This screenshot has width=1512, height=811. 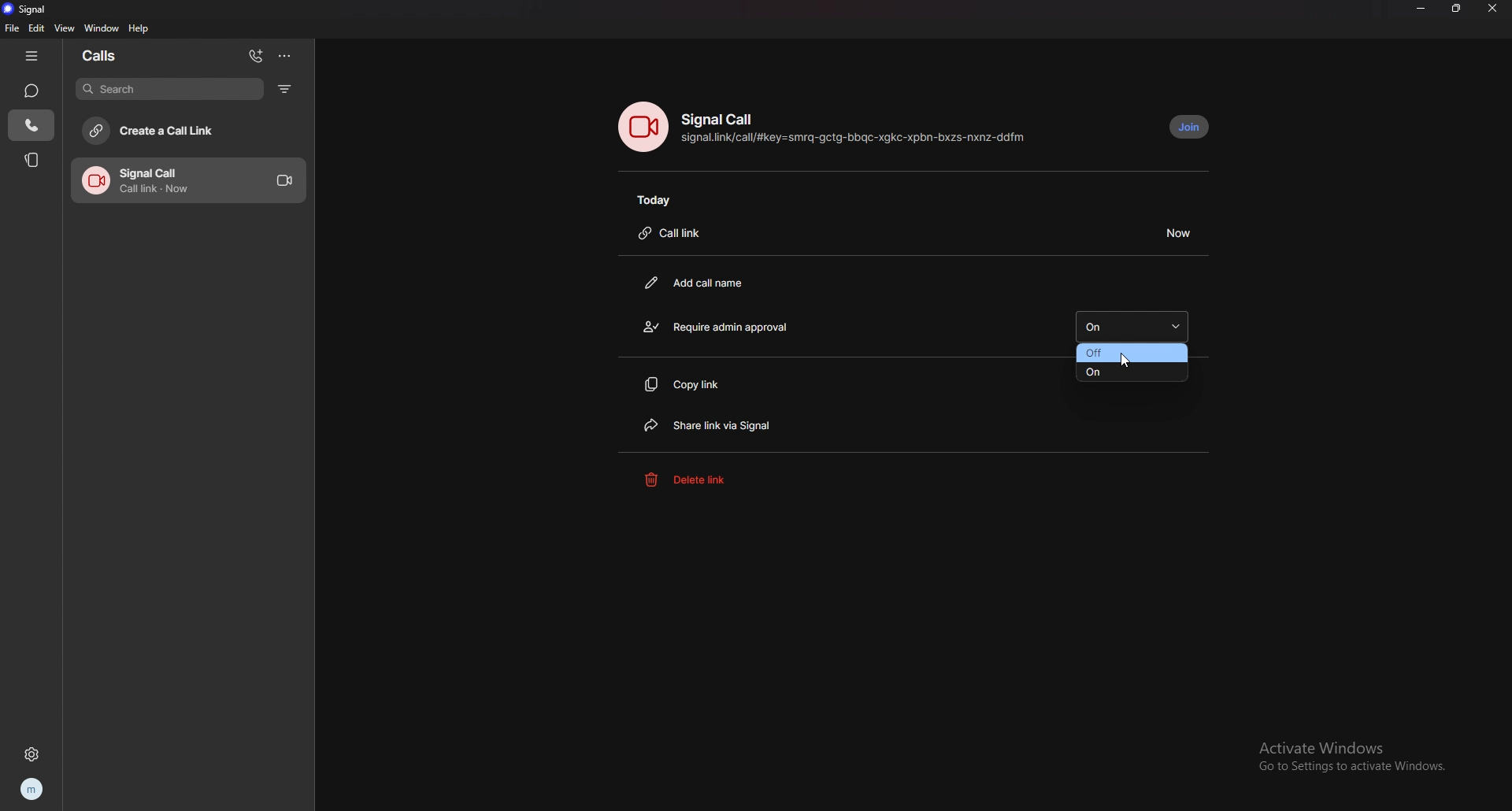 I want to click on require admin approval, so click(x=735, y=326).